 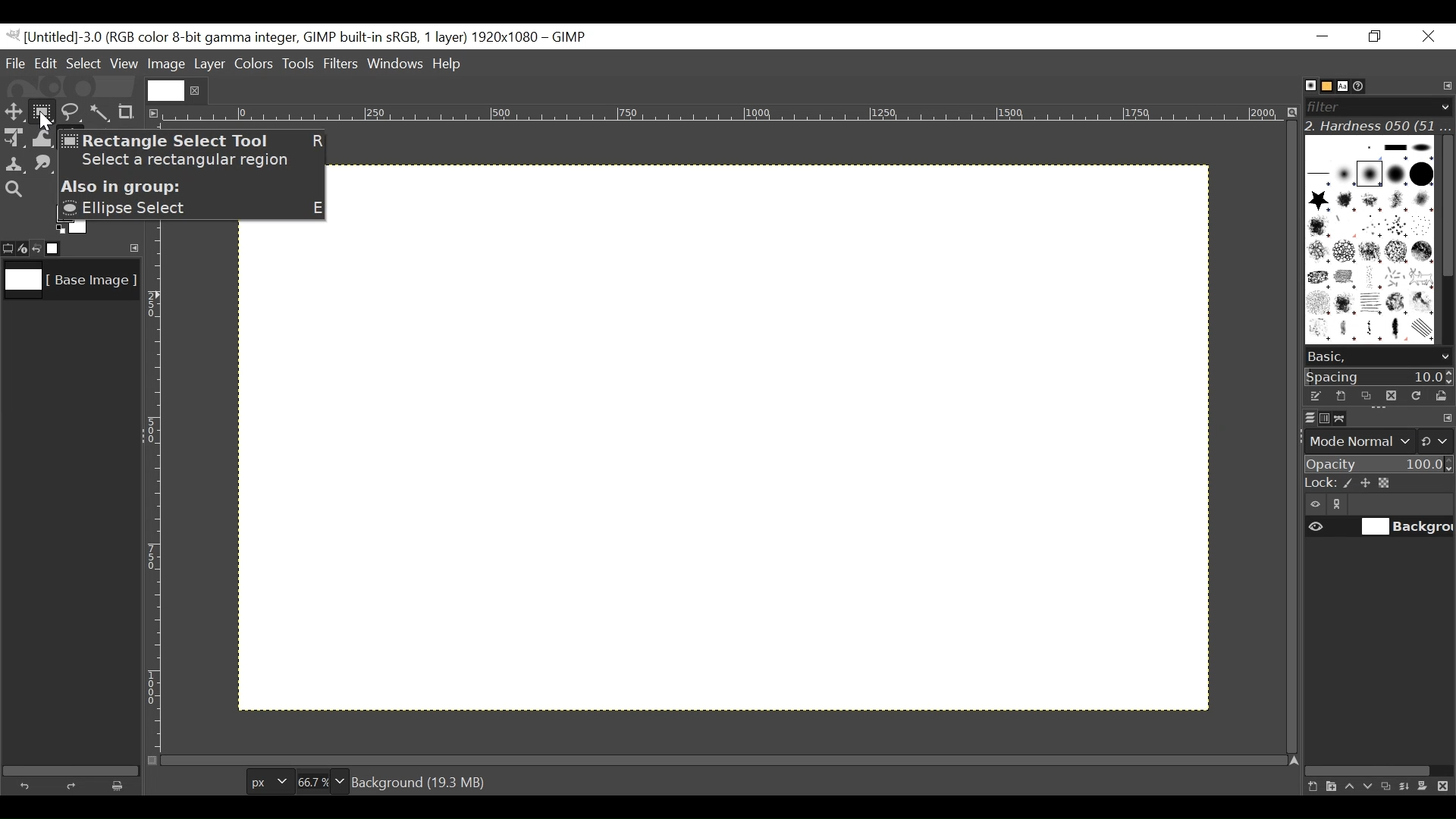 What do you see at coordinates (1323, 36) in the screenshot?
I see `Minimize` at bounding box center [1323, 36].